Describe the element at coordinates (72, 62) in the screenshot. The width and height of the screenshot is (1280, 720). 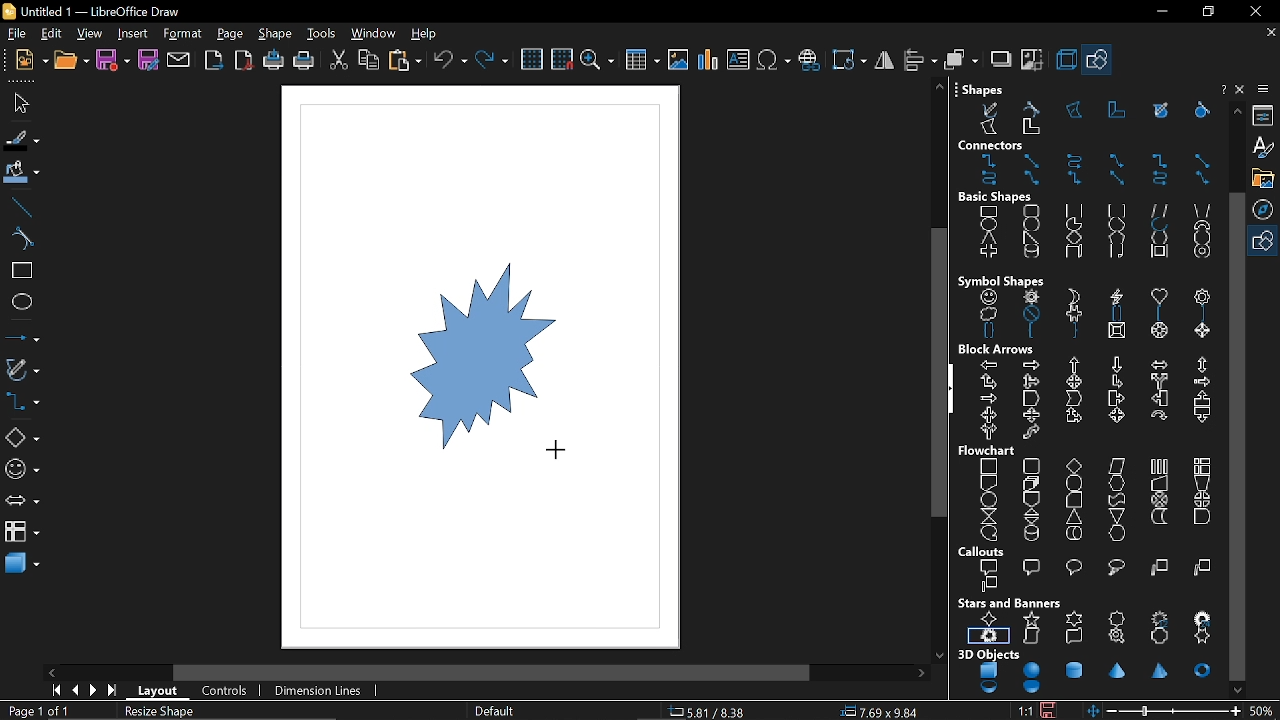
I see `open` at that location.